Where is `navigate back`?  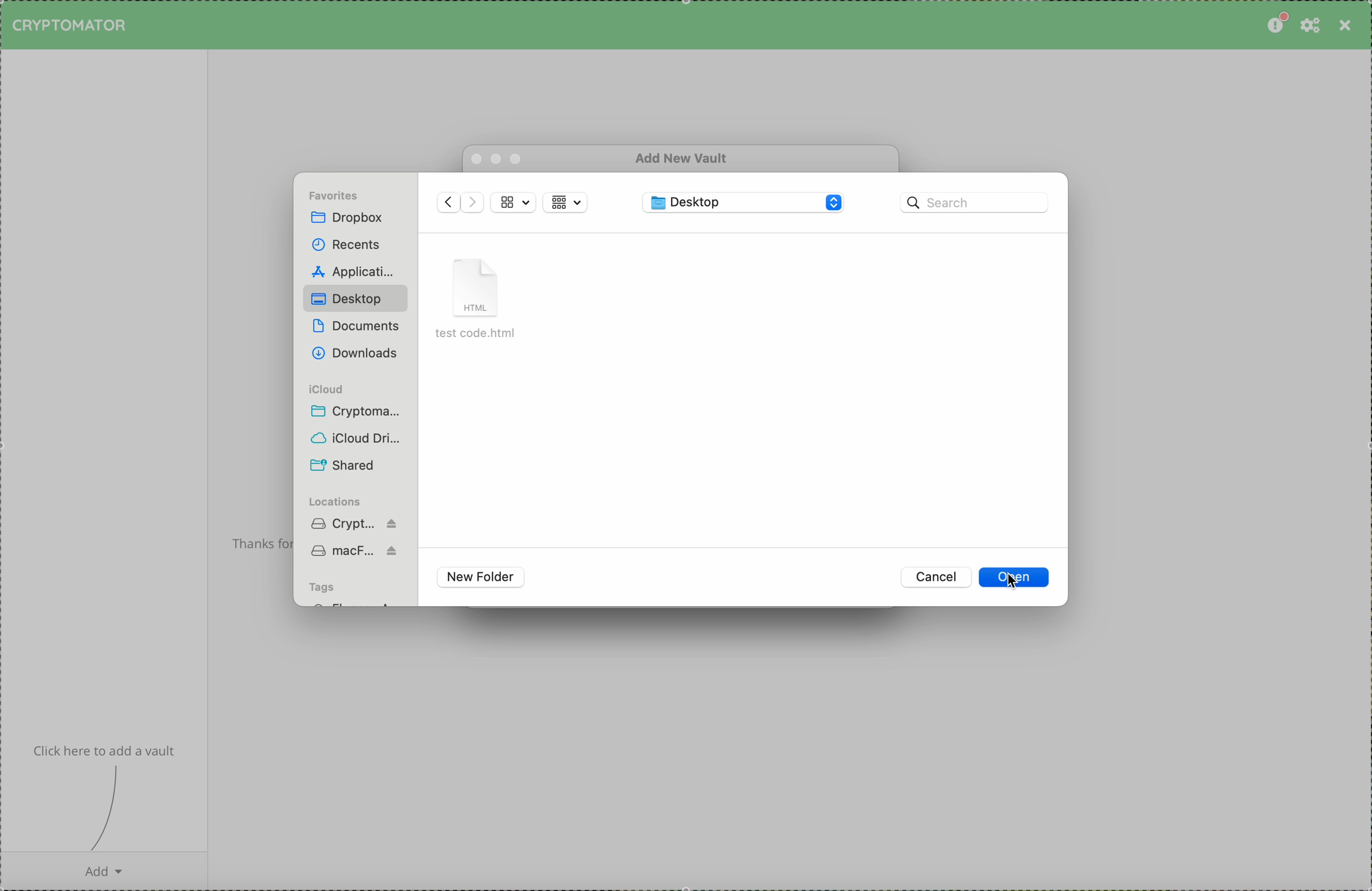
navigate back is located at coordinates (447, 202).